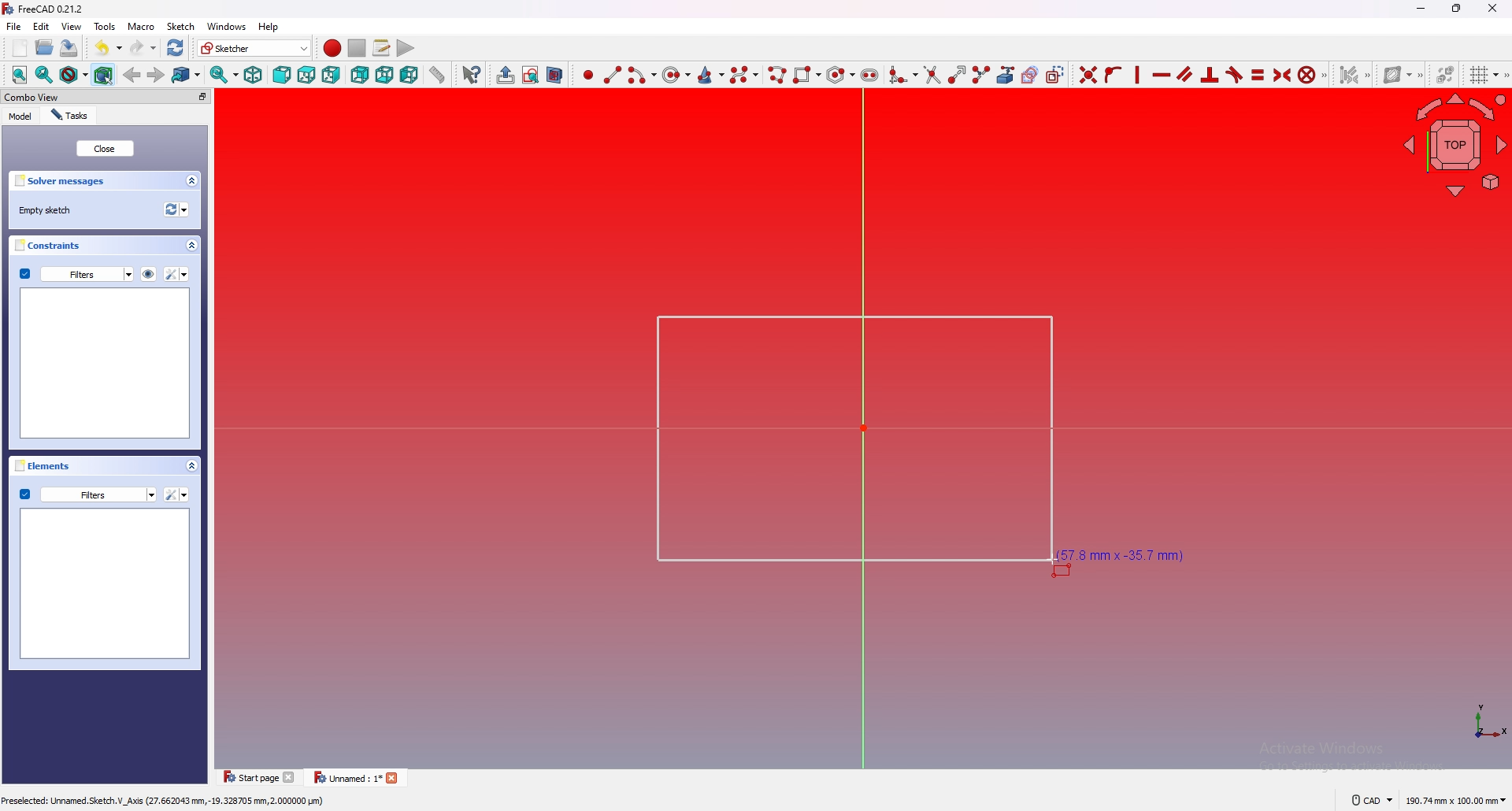 This screenshot has width=1512, height=811. I want to click on bottom, so click(384, 75).